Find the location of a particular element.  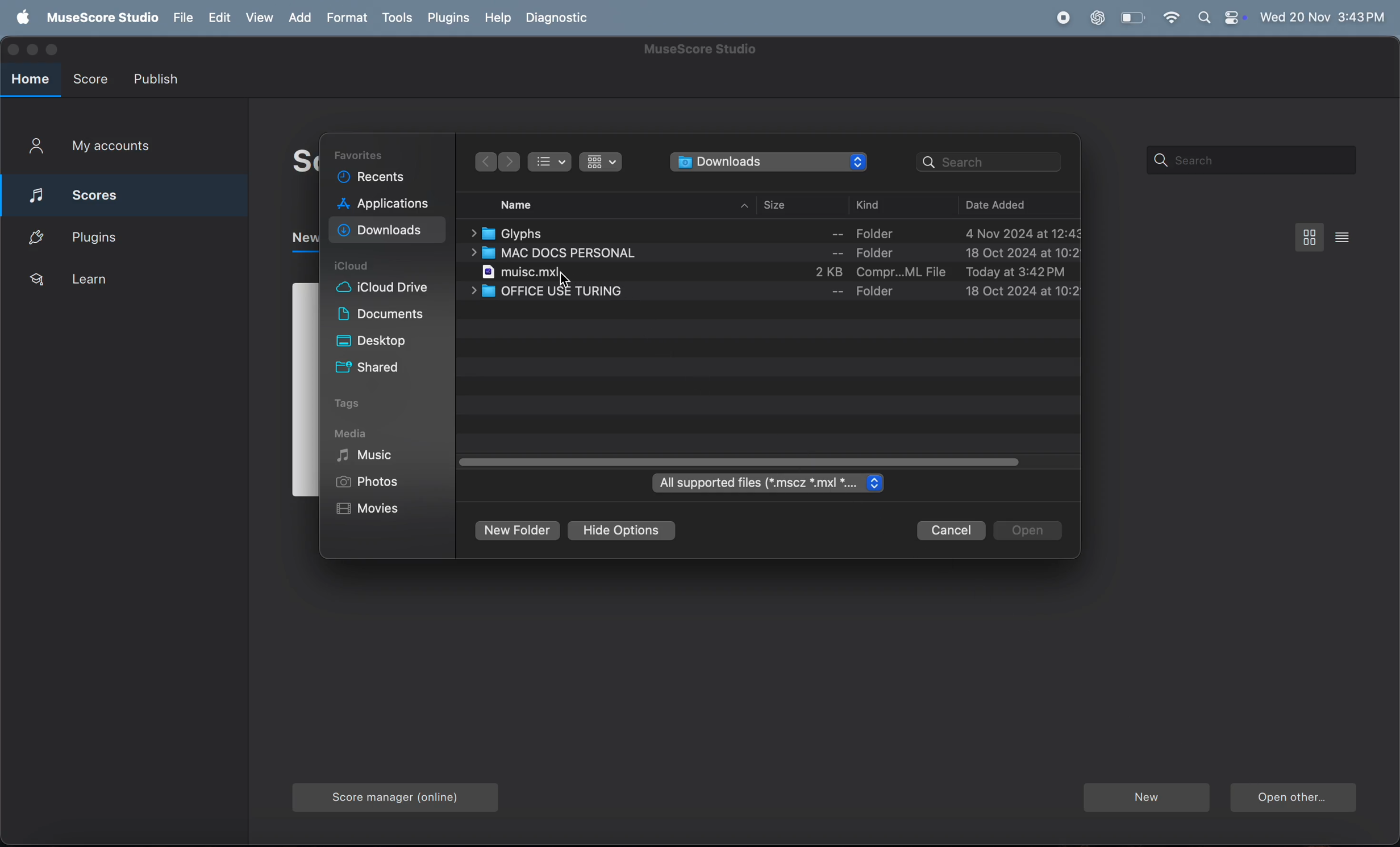

office use turing is located at coordinates (766, 293).